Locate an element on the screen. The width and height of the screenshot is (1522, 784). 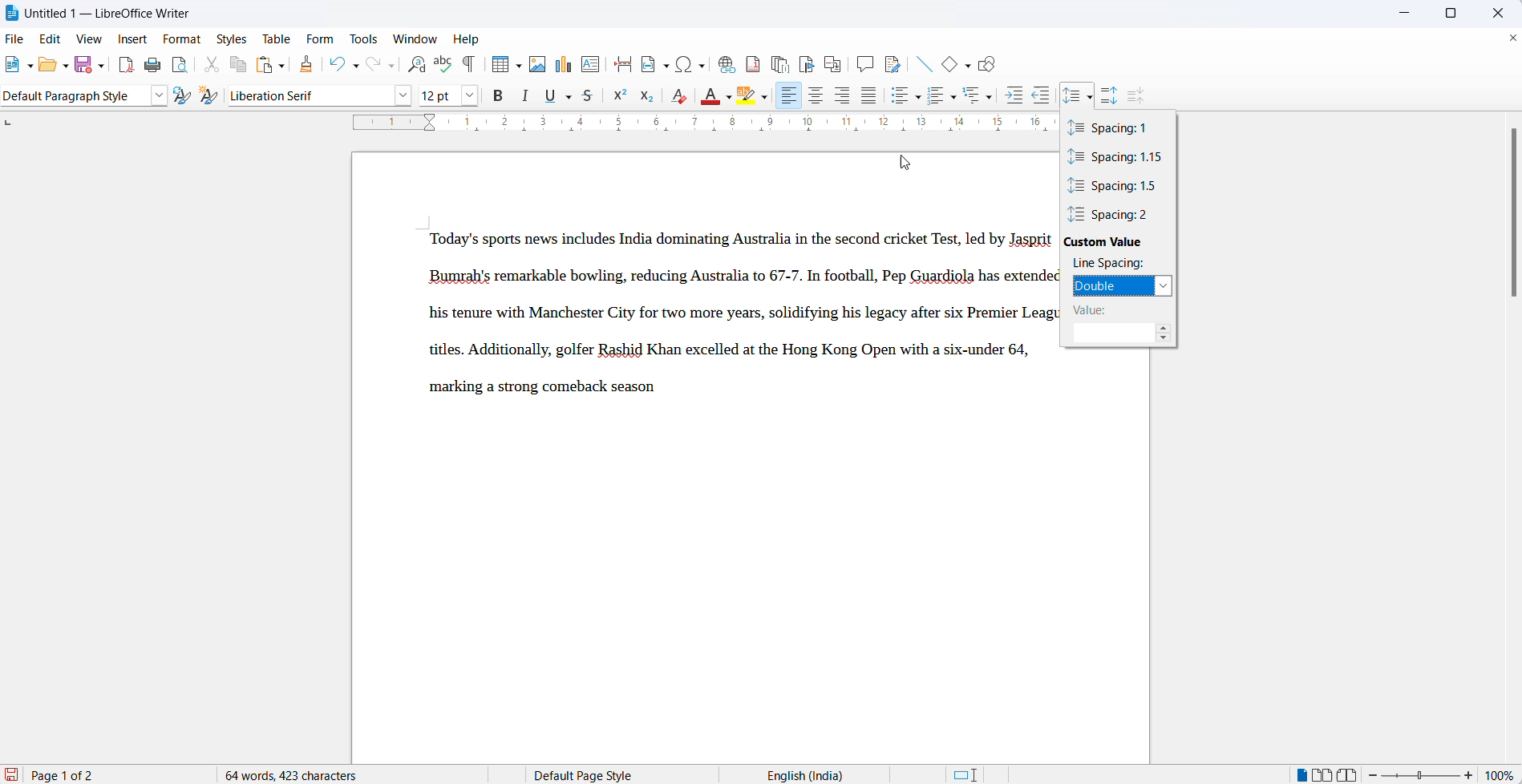
table grid is located at coordinates (518, 68).